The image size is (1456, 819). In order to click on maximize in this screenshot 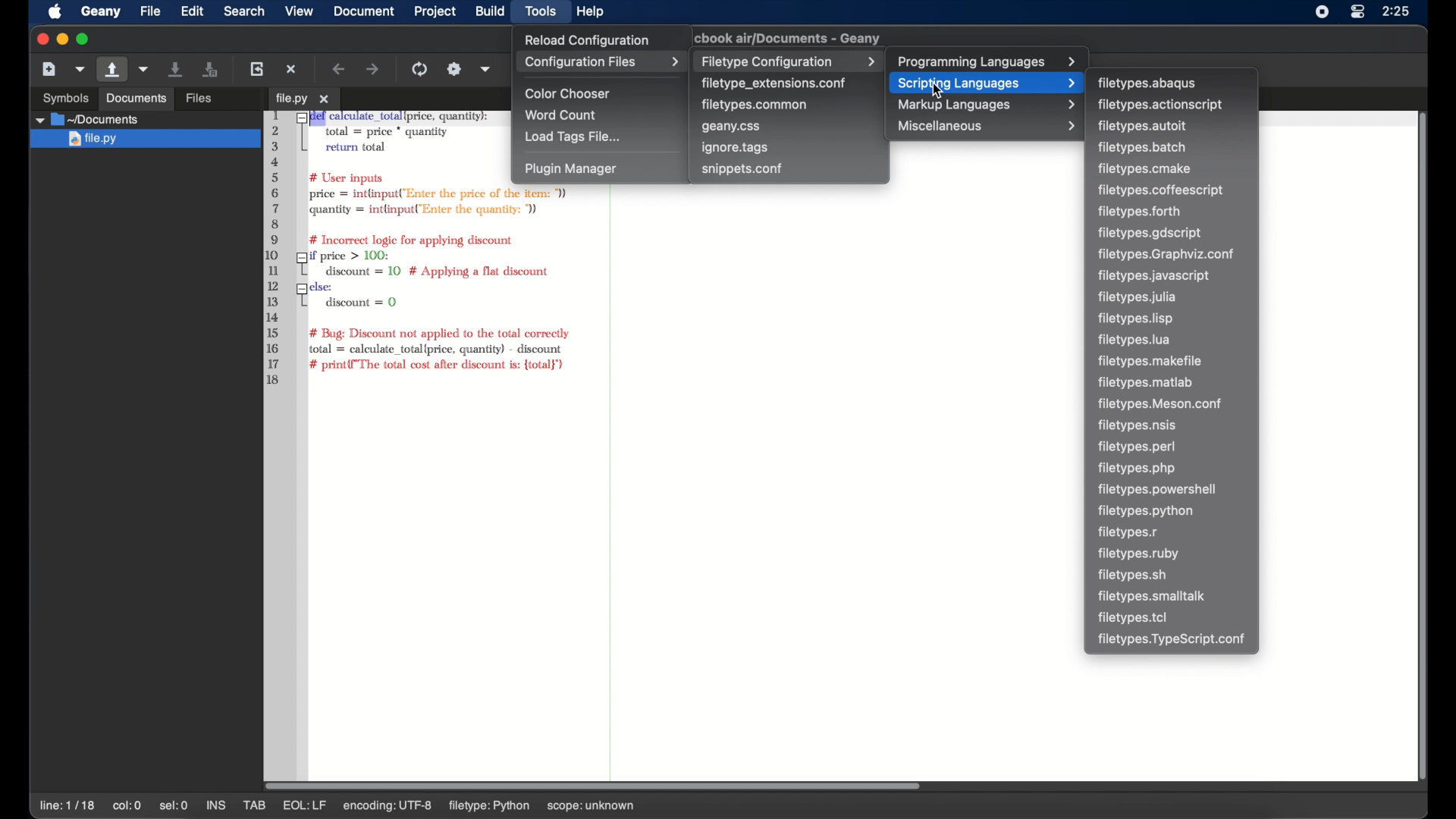, I will do `click(83, 39)`.